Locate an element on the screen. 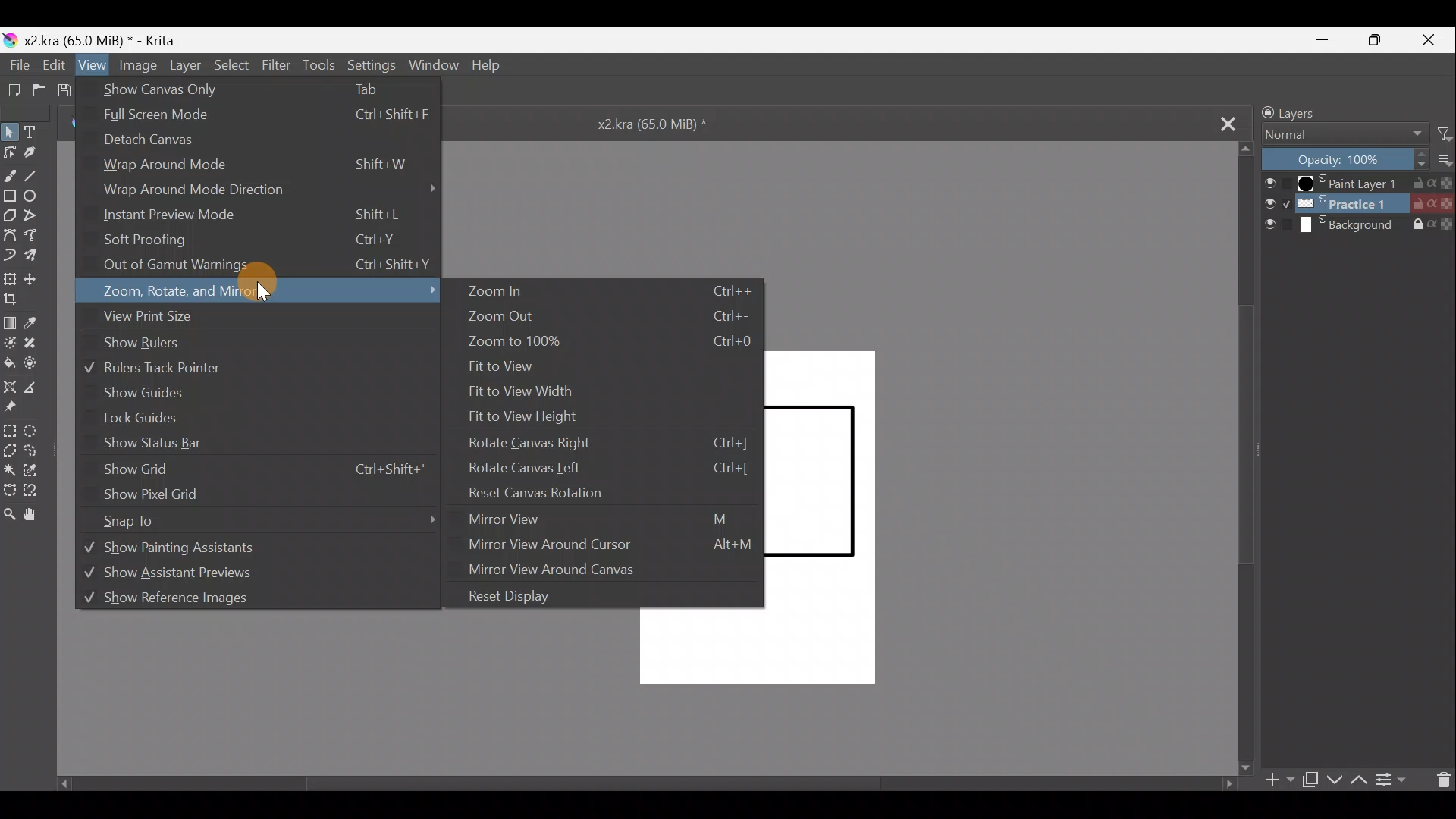 This screenshot has height=819, width=1456. Magnetic curve selection tool is located at coordinates (38, 488).